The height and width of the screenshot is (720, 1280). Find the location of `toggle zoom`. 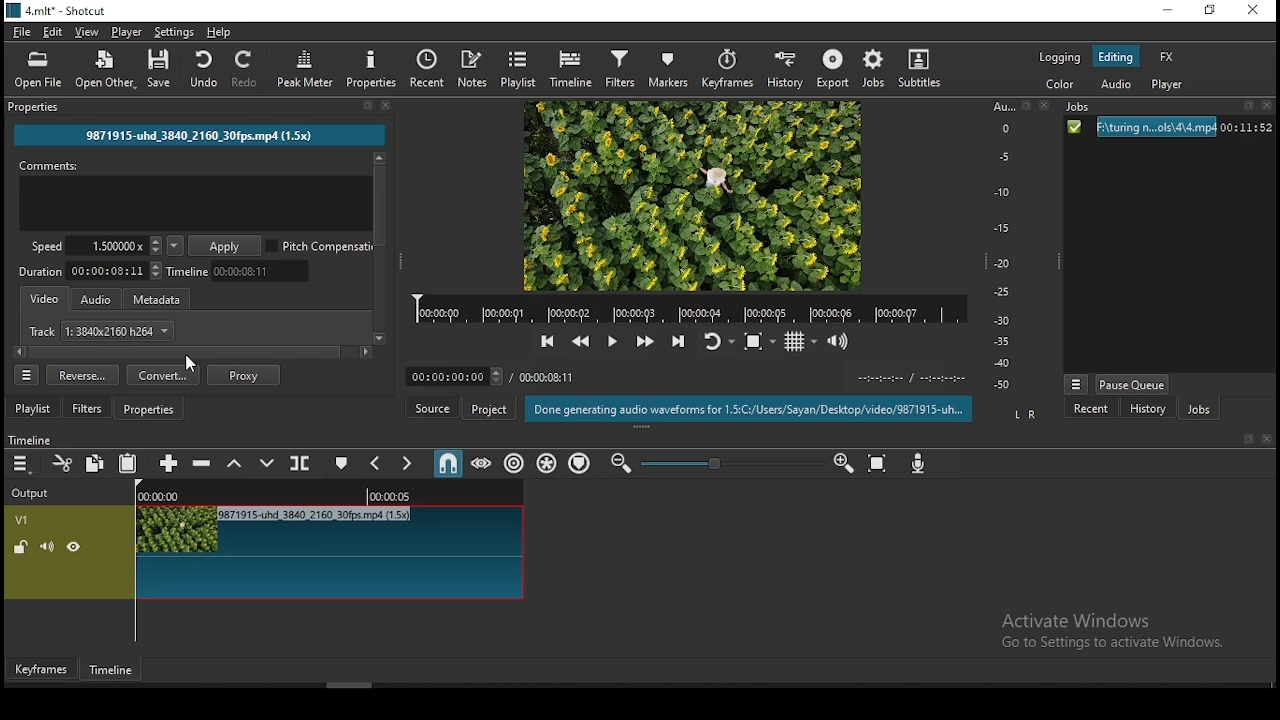

toggle zoom is located at coordinates (763, 341).